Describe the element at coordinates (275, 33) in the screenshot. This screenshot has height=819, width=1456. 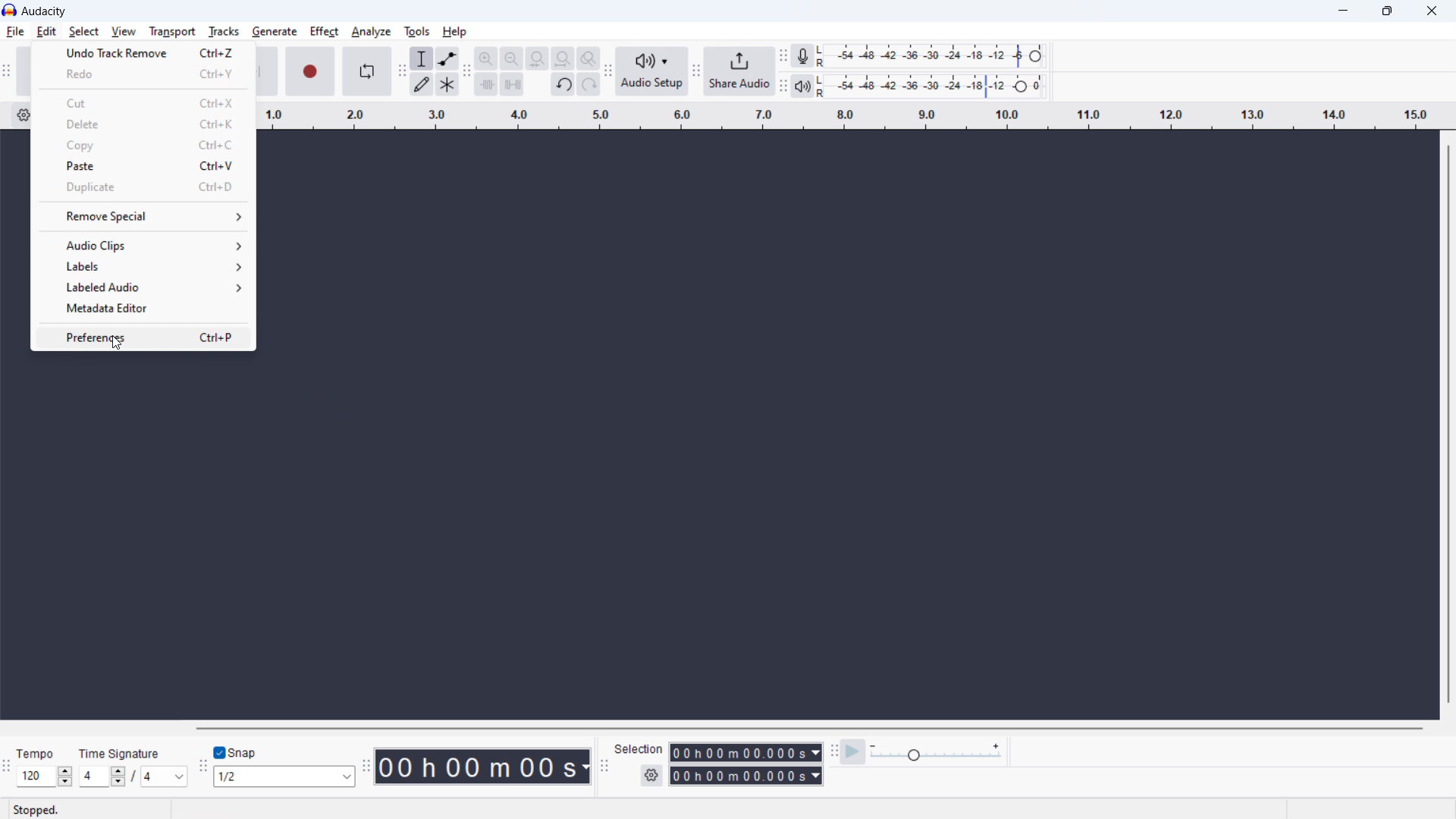
I see `generate` at that location.